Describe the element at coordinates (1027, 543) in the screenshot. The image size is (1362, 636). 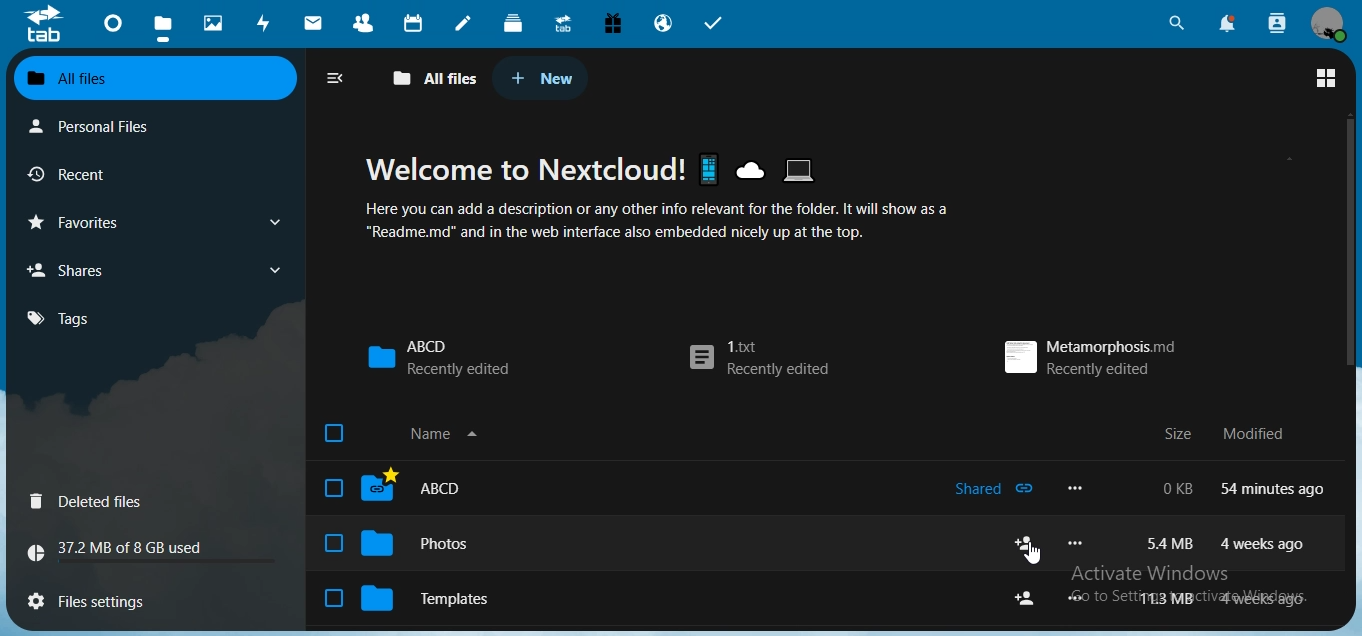
I see `share` at that location.